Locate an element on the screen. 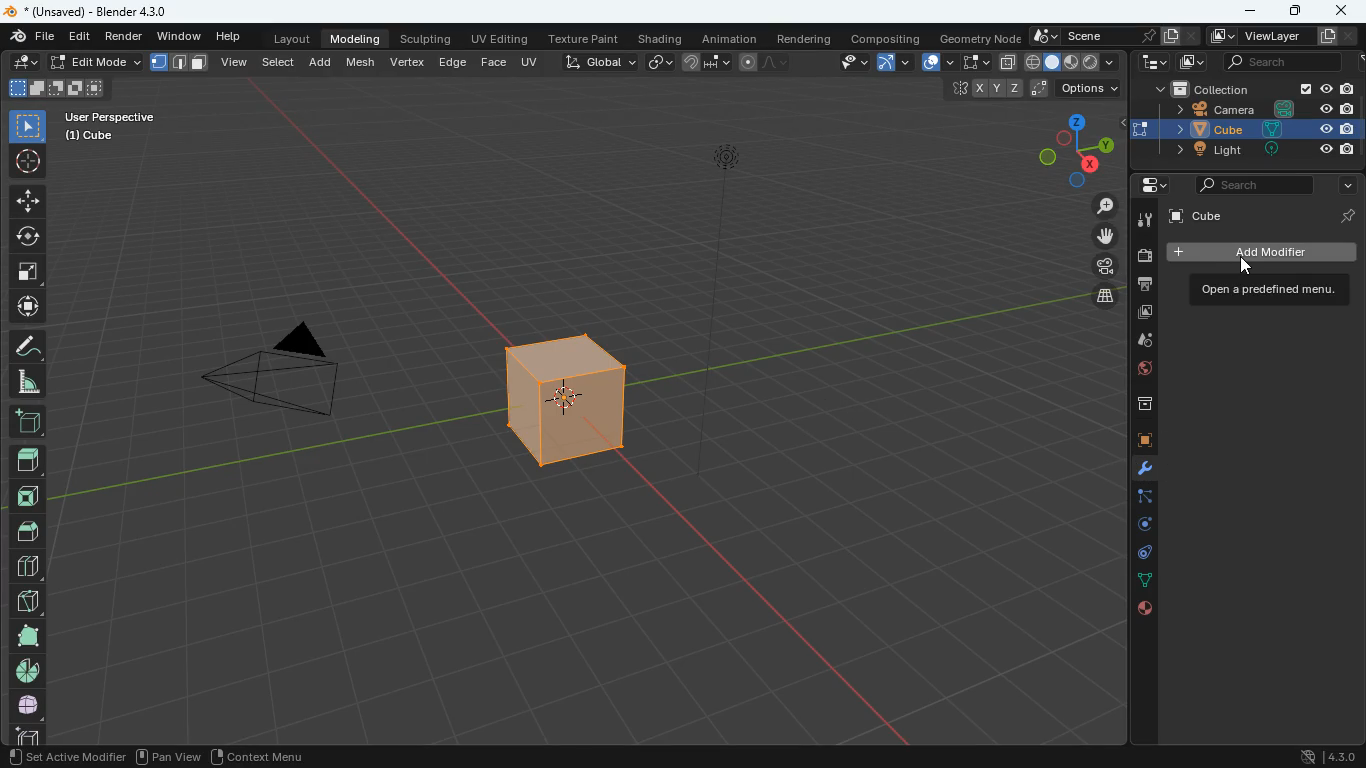  file is located at coordinates (32, 36).